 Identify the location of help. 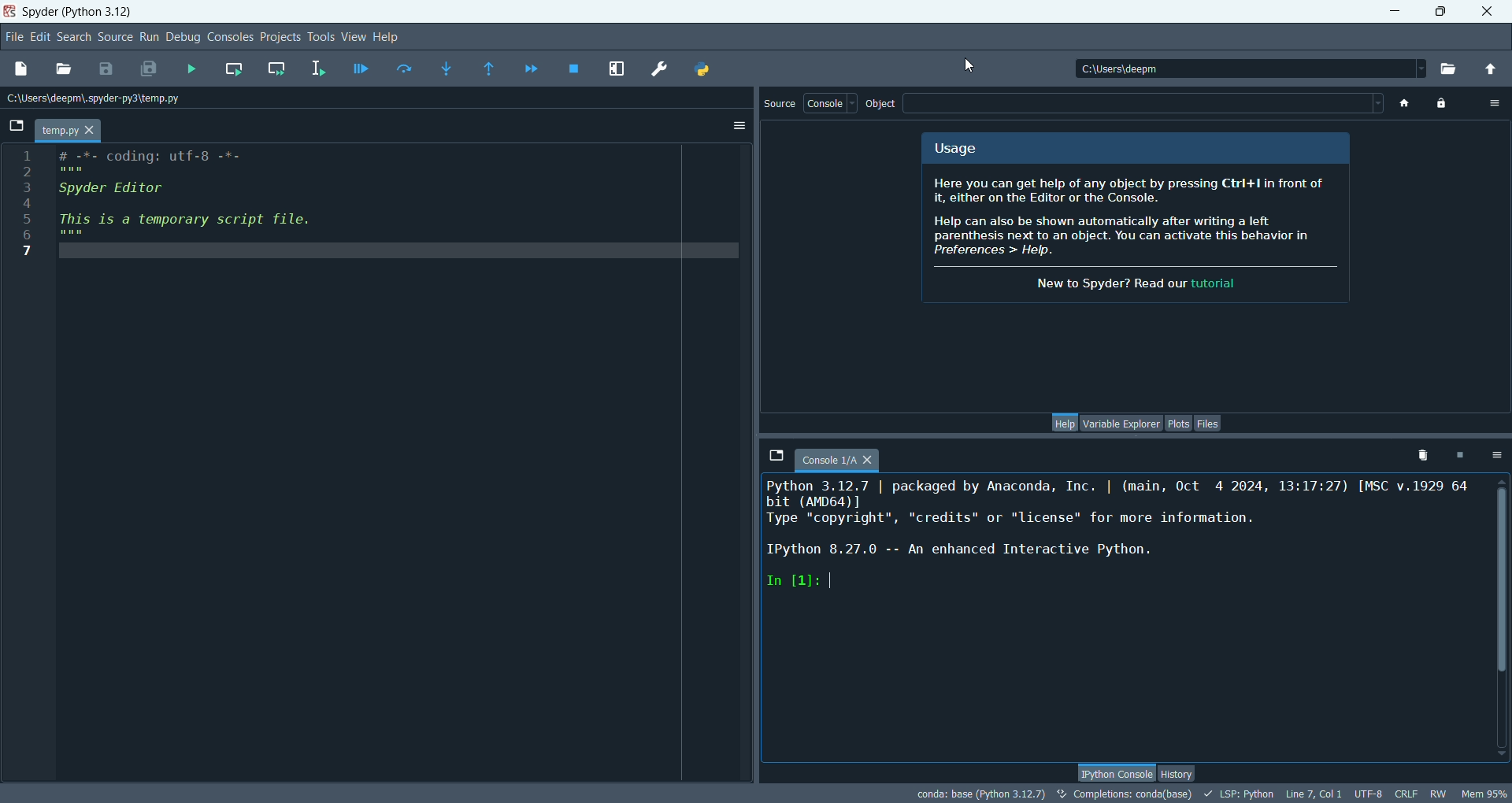
(390, 37).